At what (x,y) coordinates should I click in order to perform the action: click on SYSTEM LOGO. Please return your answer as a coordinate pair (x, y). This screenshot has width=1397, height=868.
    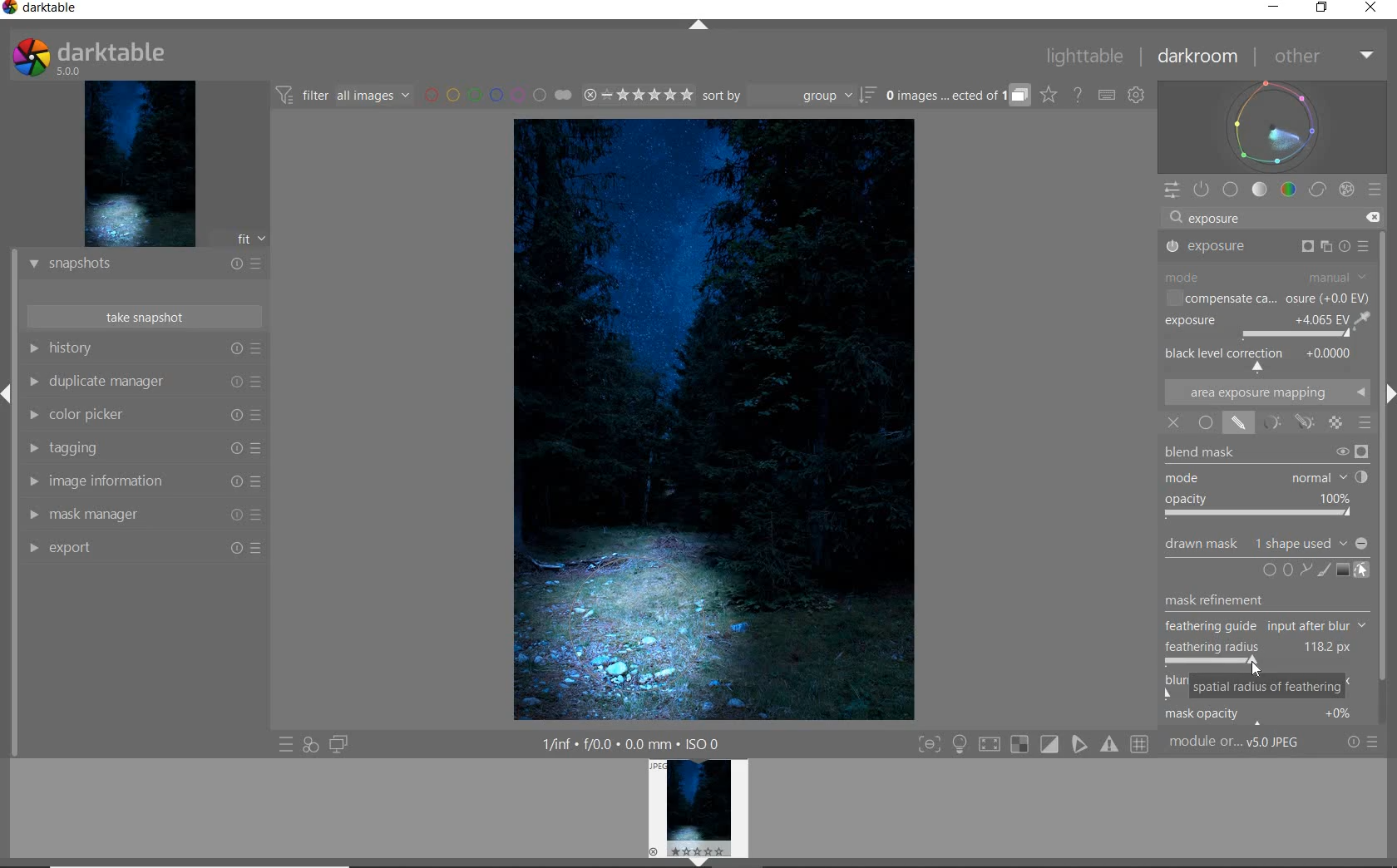
    Looking at the image, I should click on (91, 55).